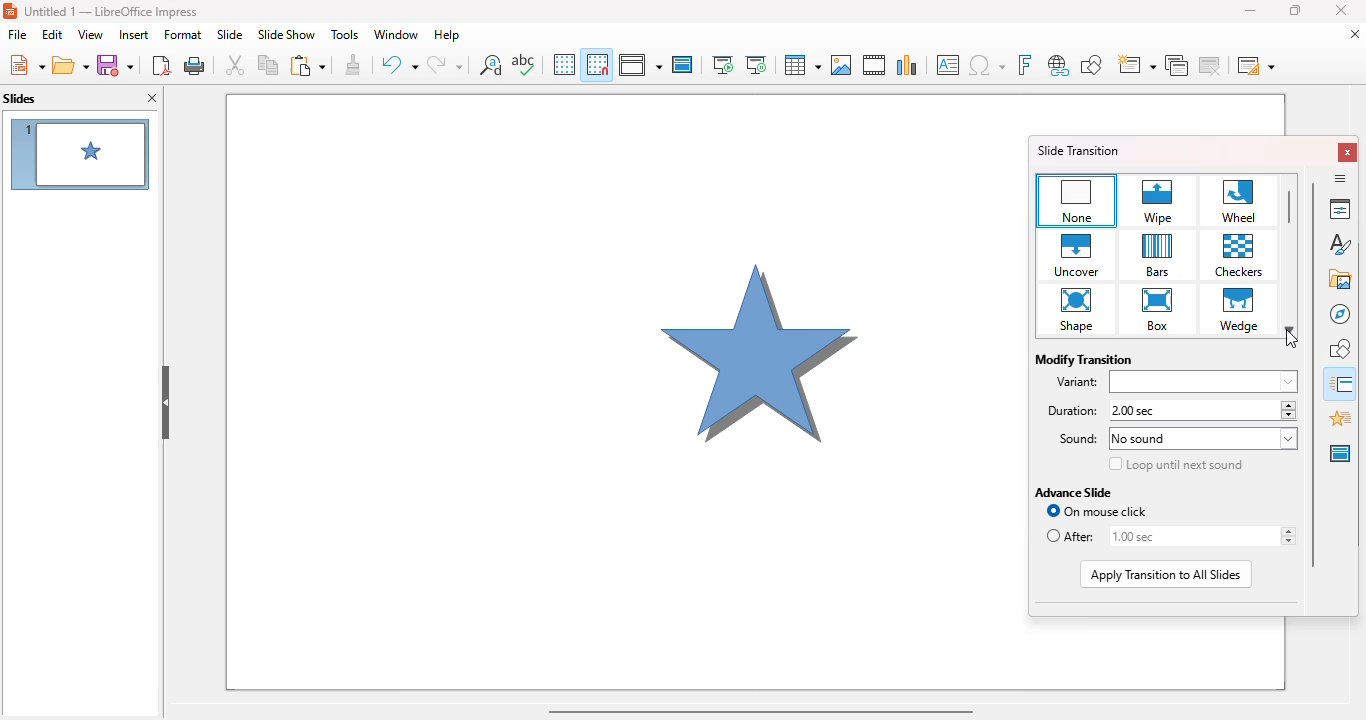 The height and width of the screenshot is (720, 1366). What do you see at coordinates (447, 36) in the screenshot?
I see `help` at bounding box center [447, 36].